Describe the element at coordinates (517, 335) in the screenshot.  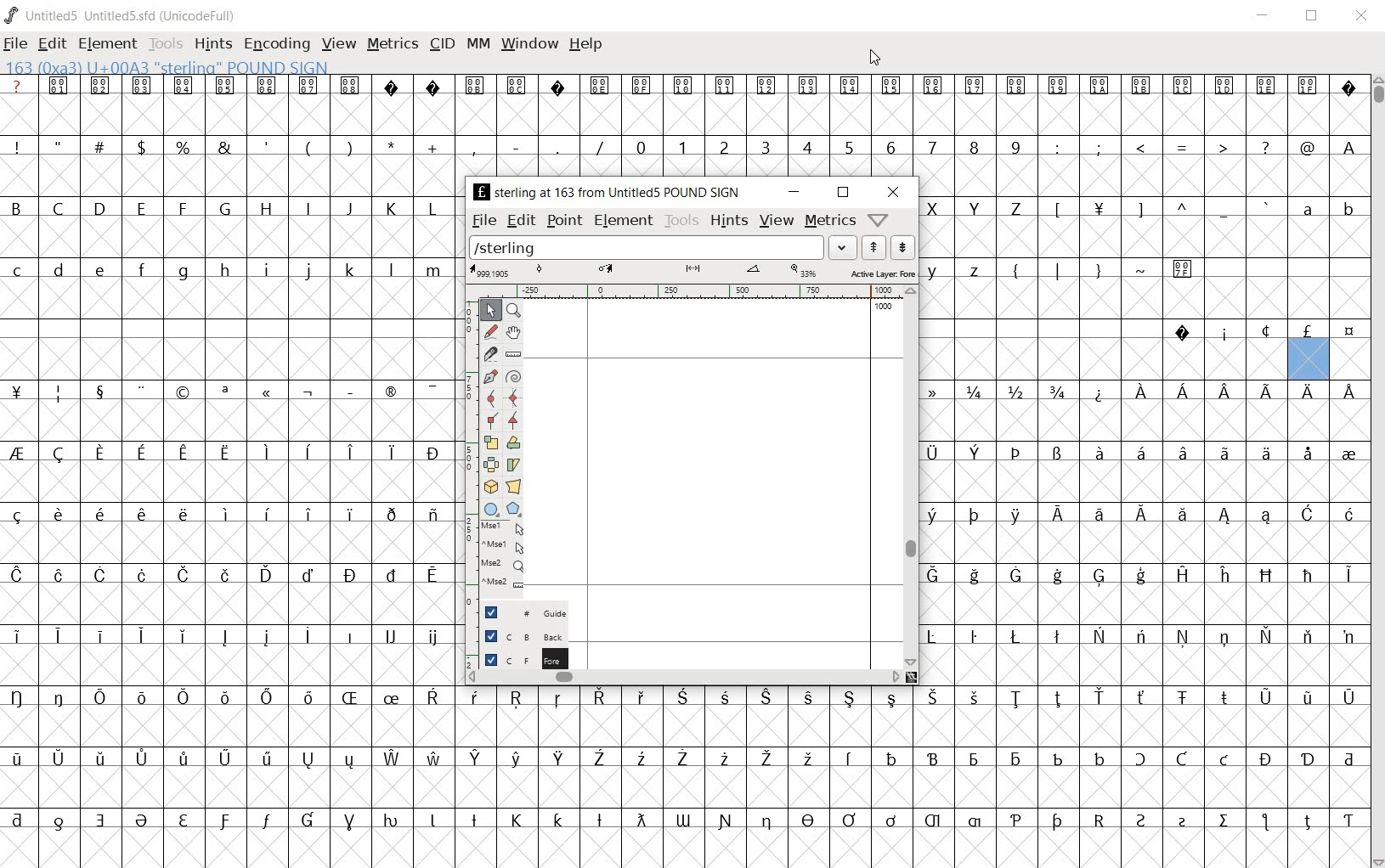
I see `Pan` at that location.